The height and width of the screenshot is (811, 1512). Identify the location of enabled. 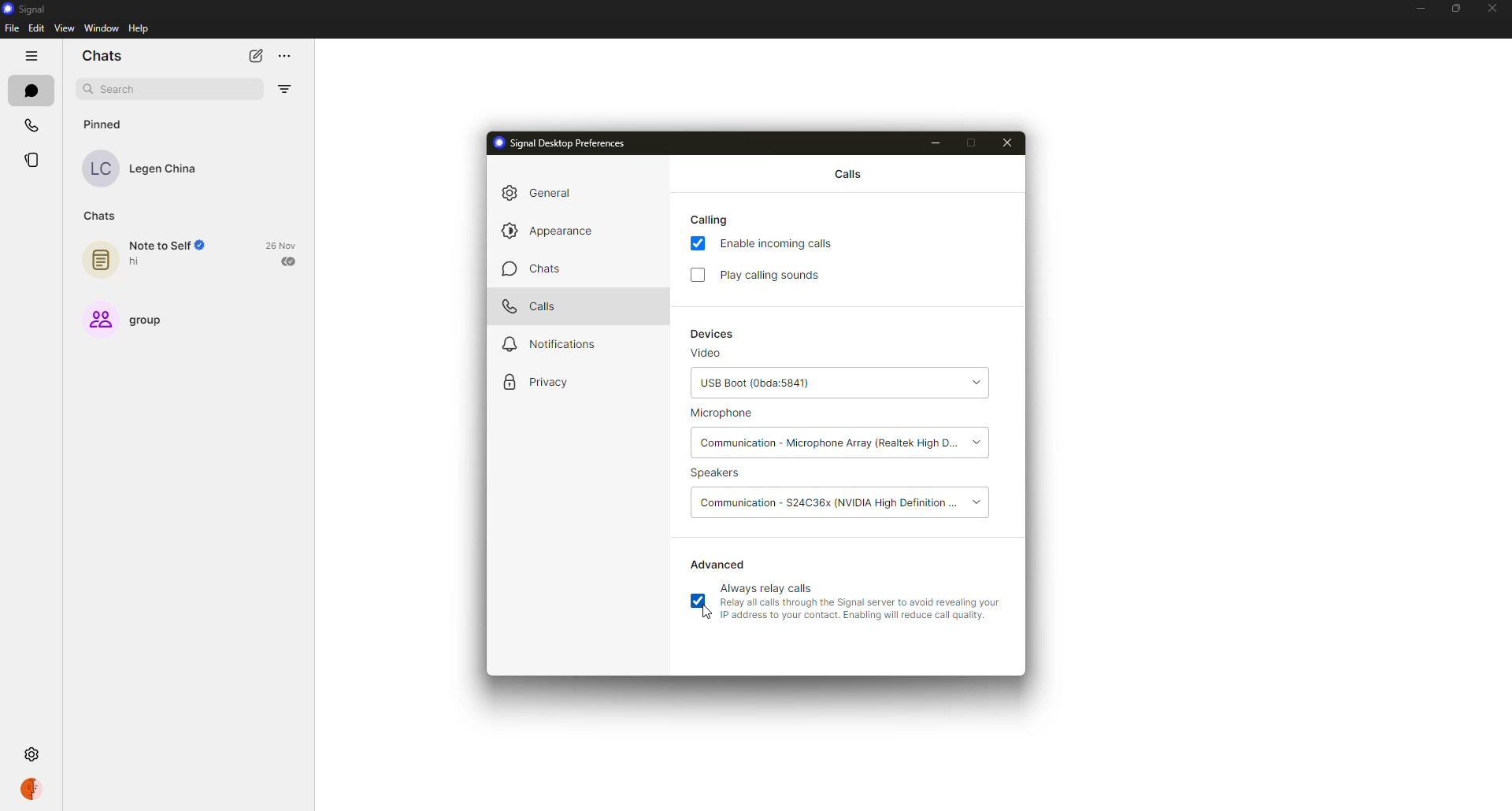
(702, 602).